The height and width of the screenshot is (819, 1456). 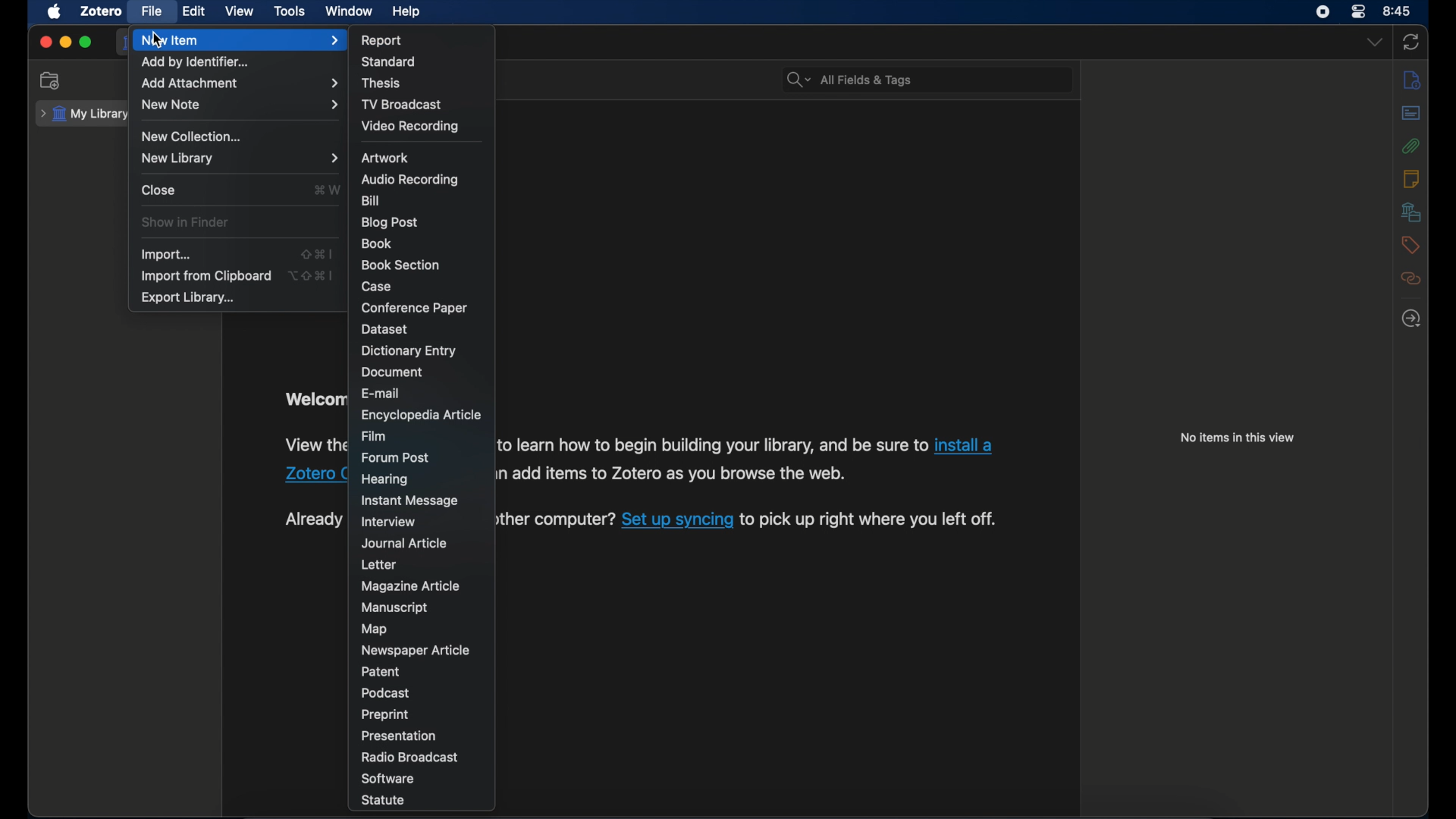 What do you see at coordinates (1323, 12) in the screenshot?
I see `control center` at bounding box center [1323, 12].